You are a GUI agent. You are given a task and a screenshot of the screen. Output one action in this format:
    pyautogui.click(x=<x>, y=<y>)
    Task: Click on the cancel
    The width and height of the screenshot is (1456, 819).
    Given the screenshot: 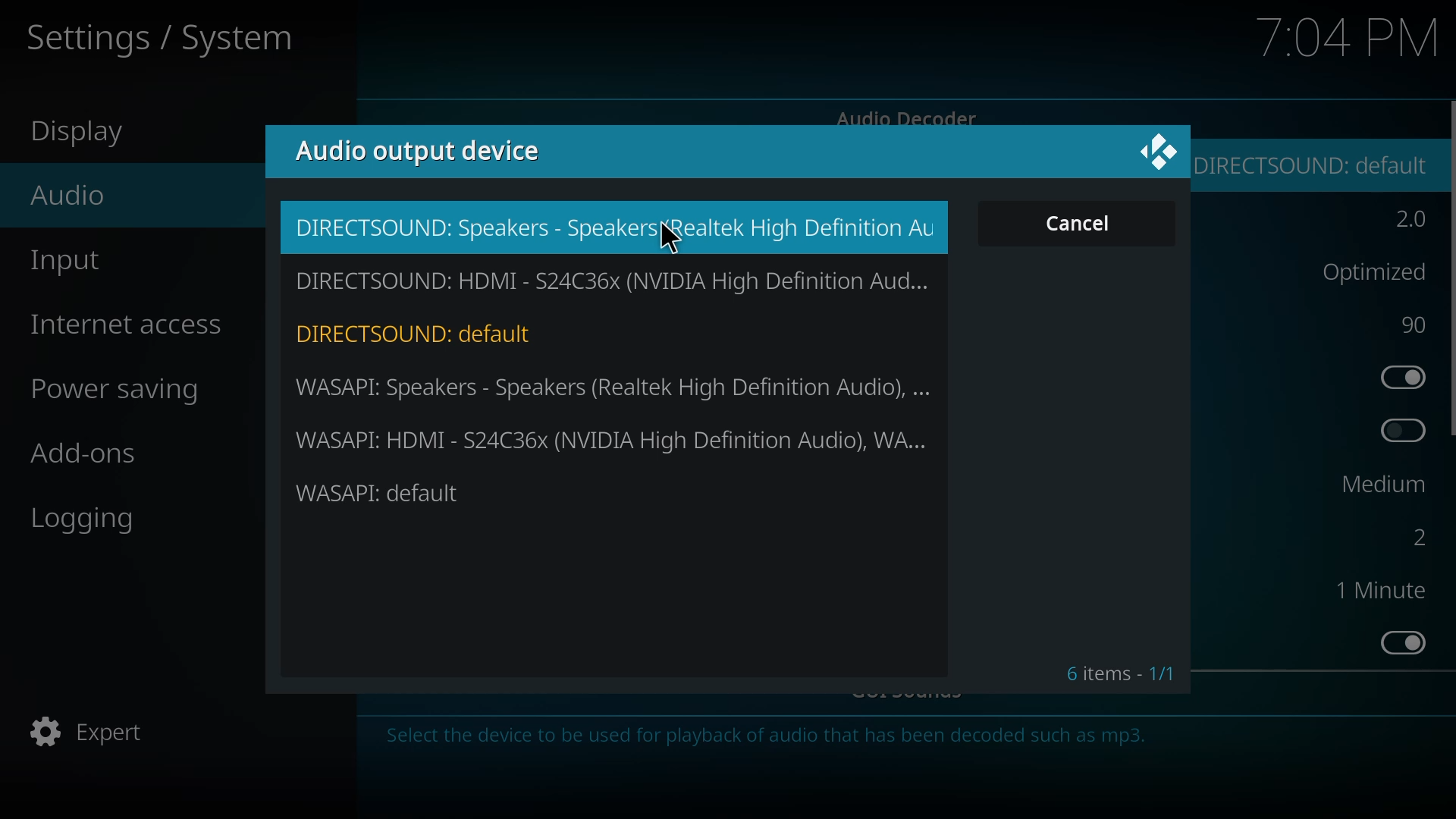 What is the action you would take?
    pyautogui.click(x=1084, y=224)
    